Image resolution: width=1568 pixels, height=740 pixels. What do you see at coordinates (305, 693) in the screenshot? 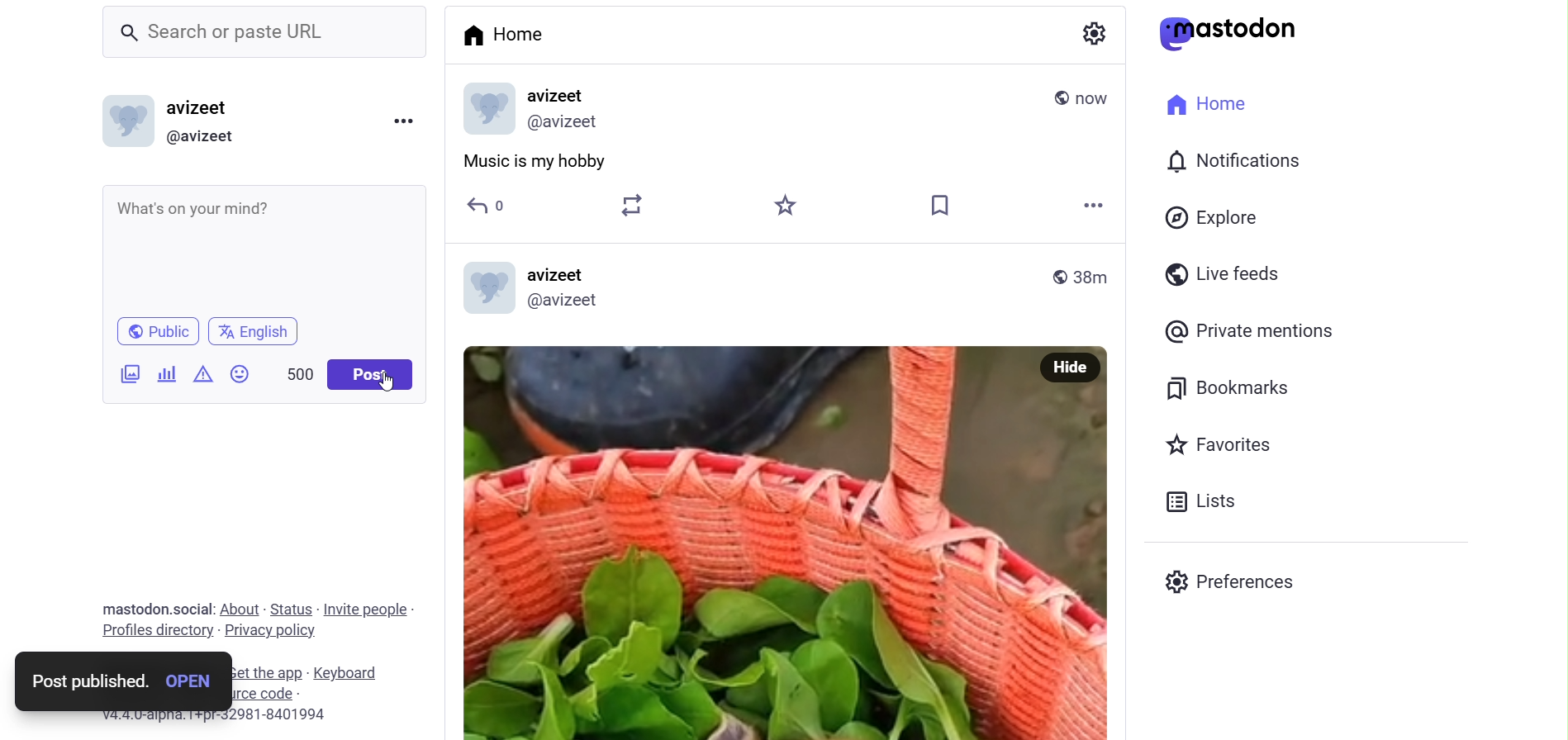
I see `view Source Code` at bounding box center [305, 693].